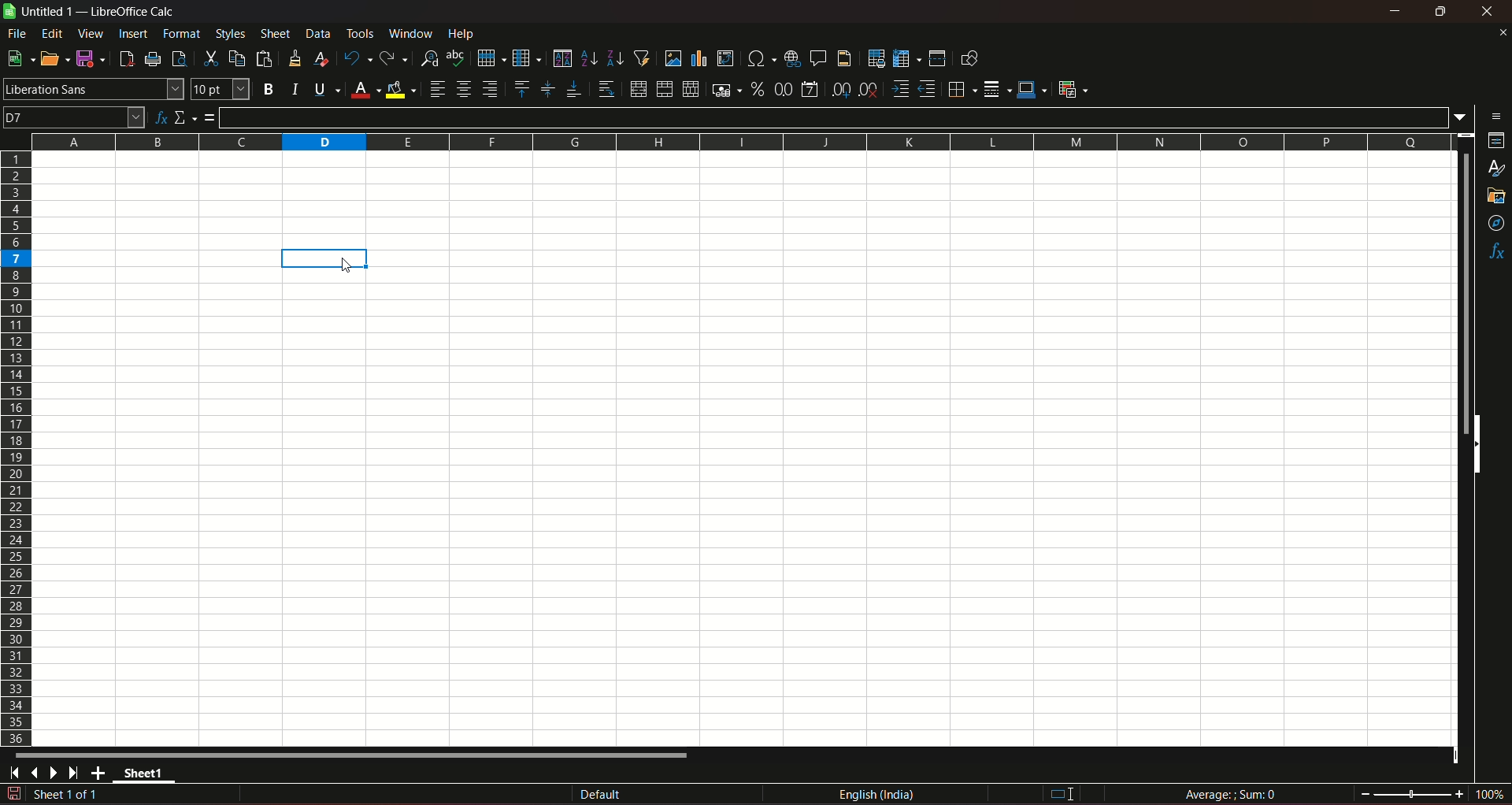 The image size is (1512, 805). Describe the element at coordinates (843, 57) in the screenshot. I see `headers & footers` at that location.